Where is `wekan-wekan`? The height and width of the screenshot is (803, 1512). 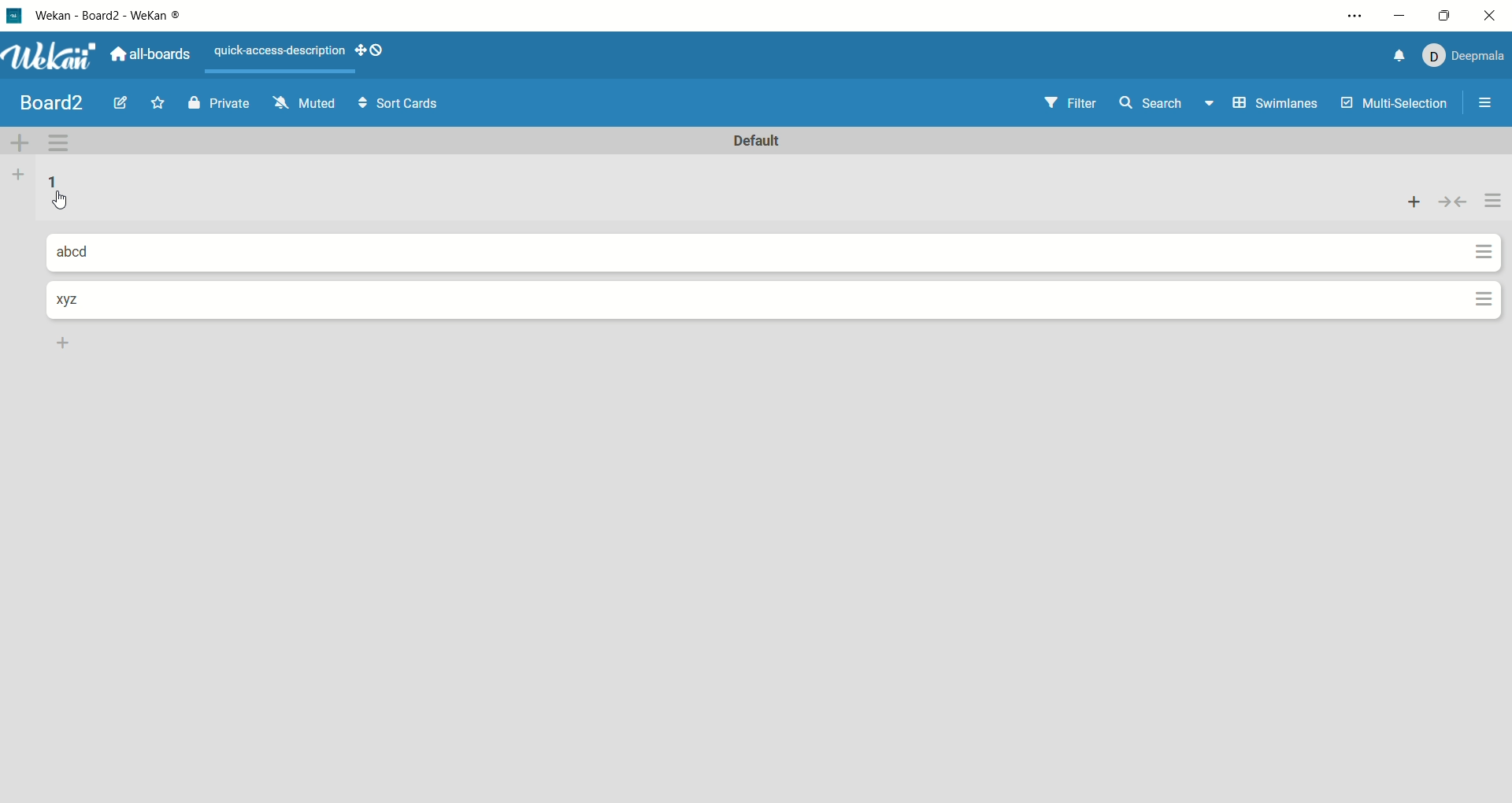
wekan-wekan is located at coordinates (116, 17).